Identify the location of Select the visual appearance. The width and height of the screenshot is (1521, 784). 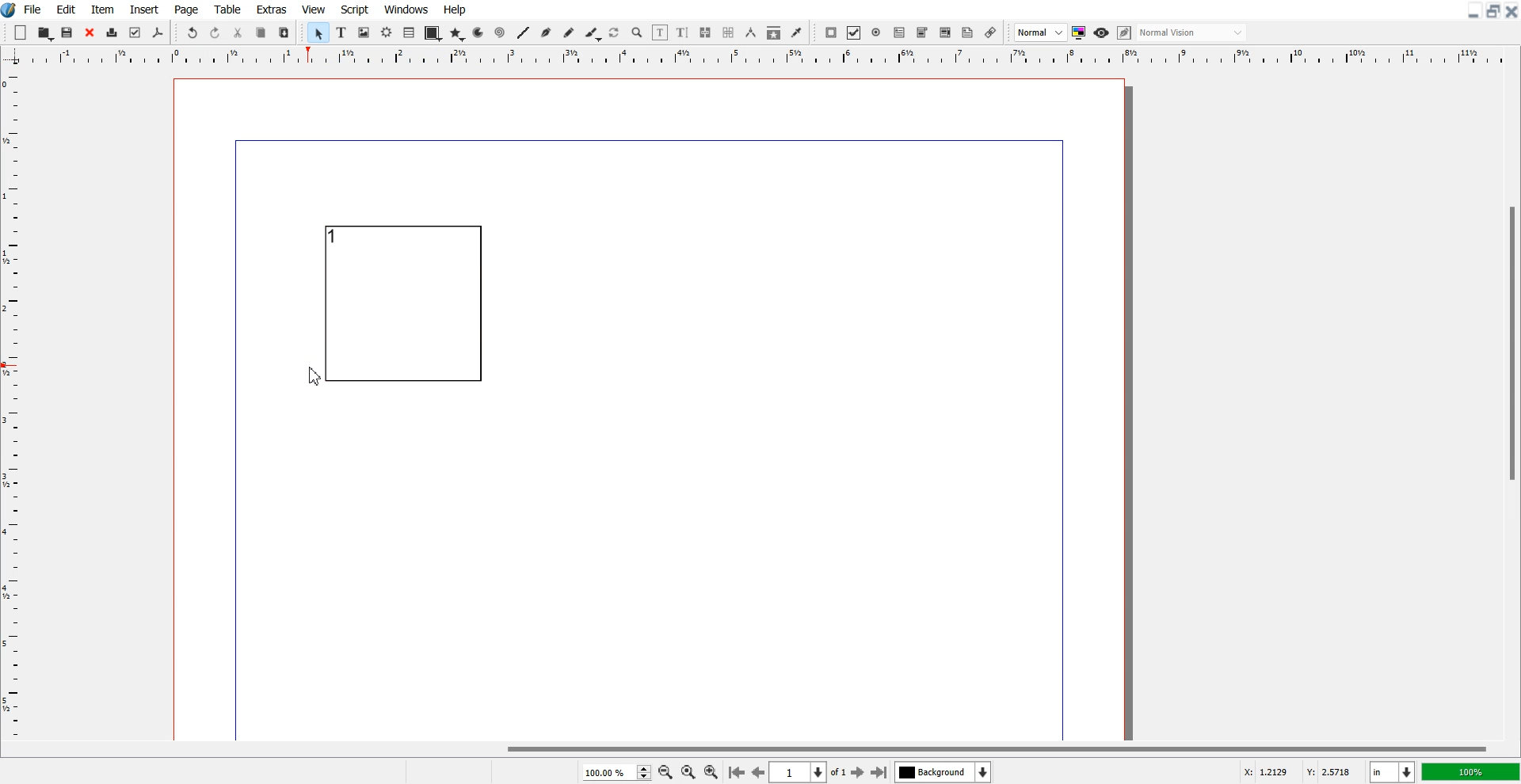
(1191, 32).